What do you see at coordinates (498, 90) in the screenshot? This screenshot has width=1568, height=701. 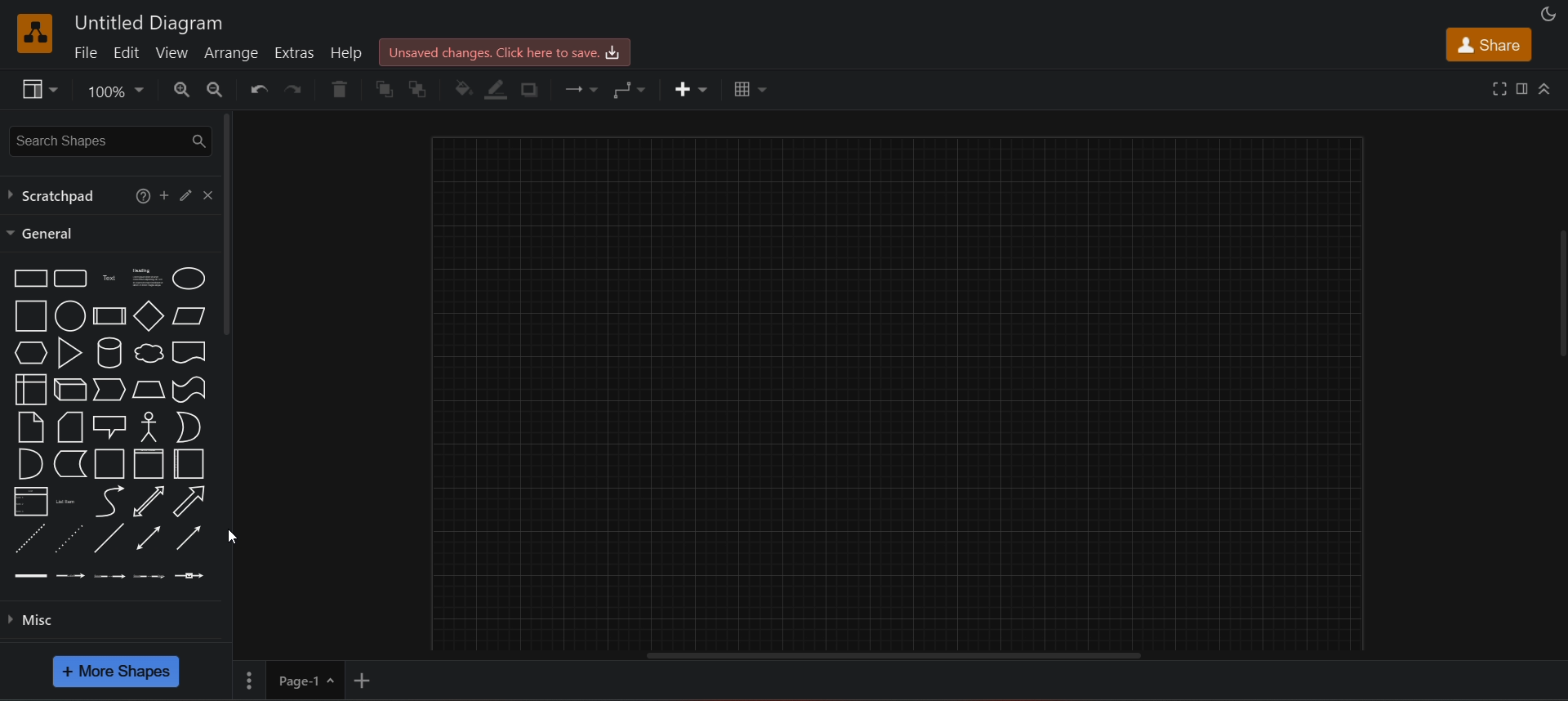 I see `linecolor` at bounding box center [498, 90].